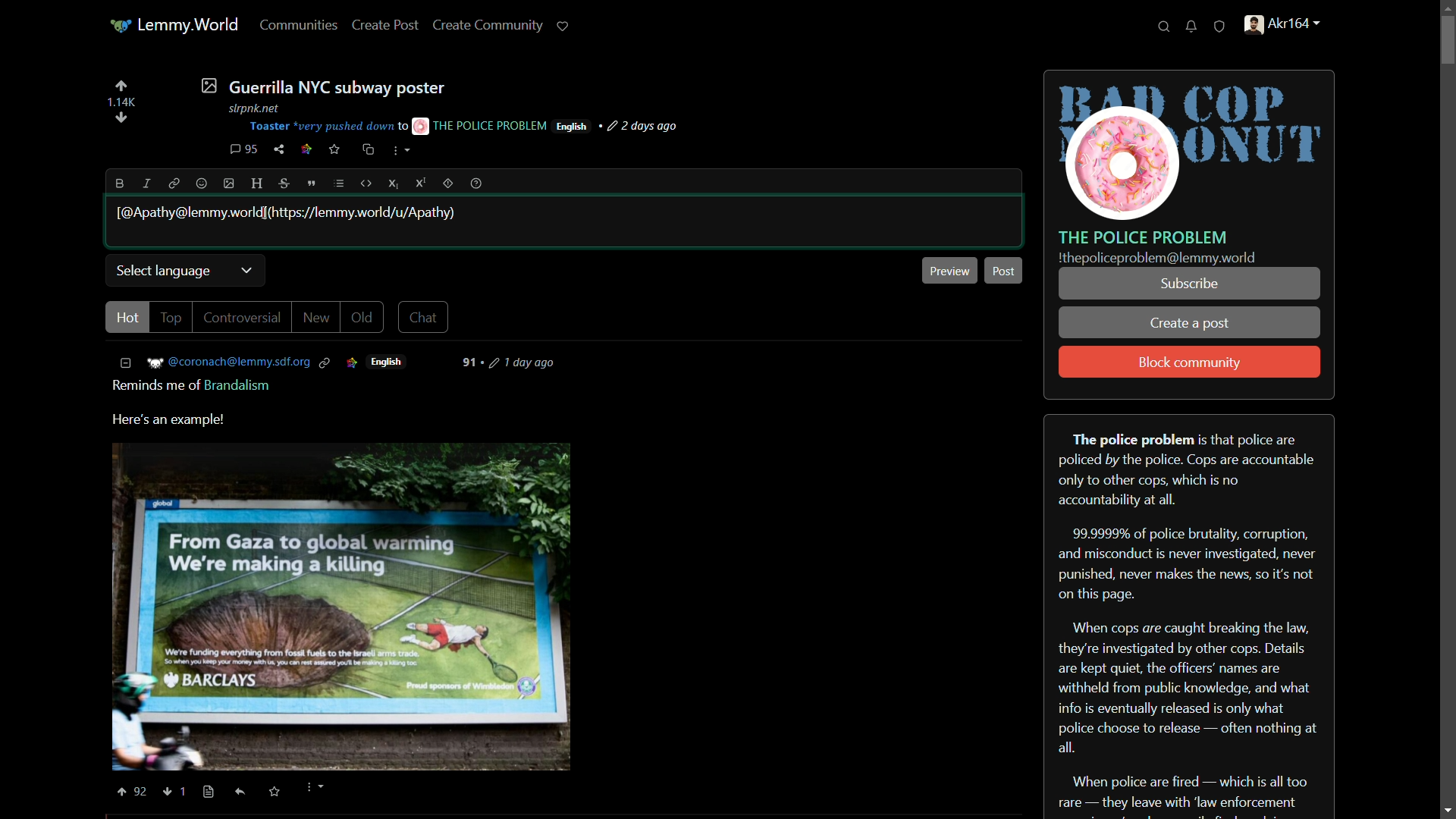 This screenshot has height=819, width=1456. I want to click on saved, so click(272, 792).